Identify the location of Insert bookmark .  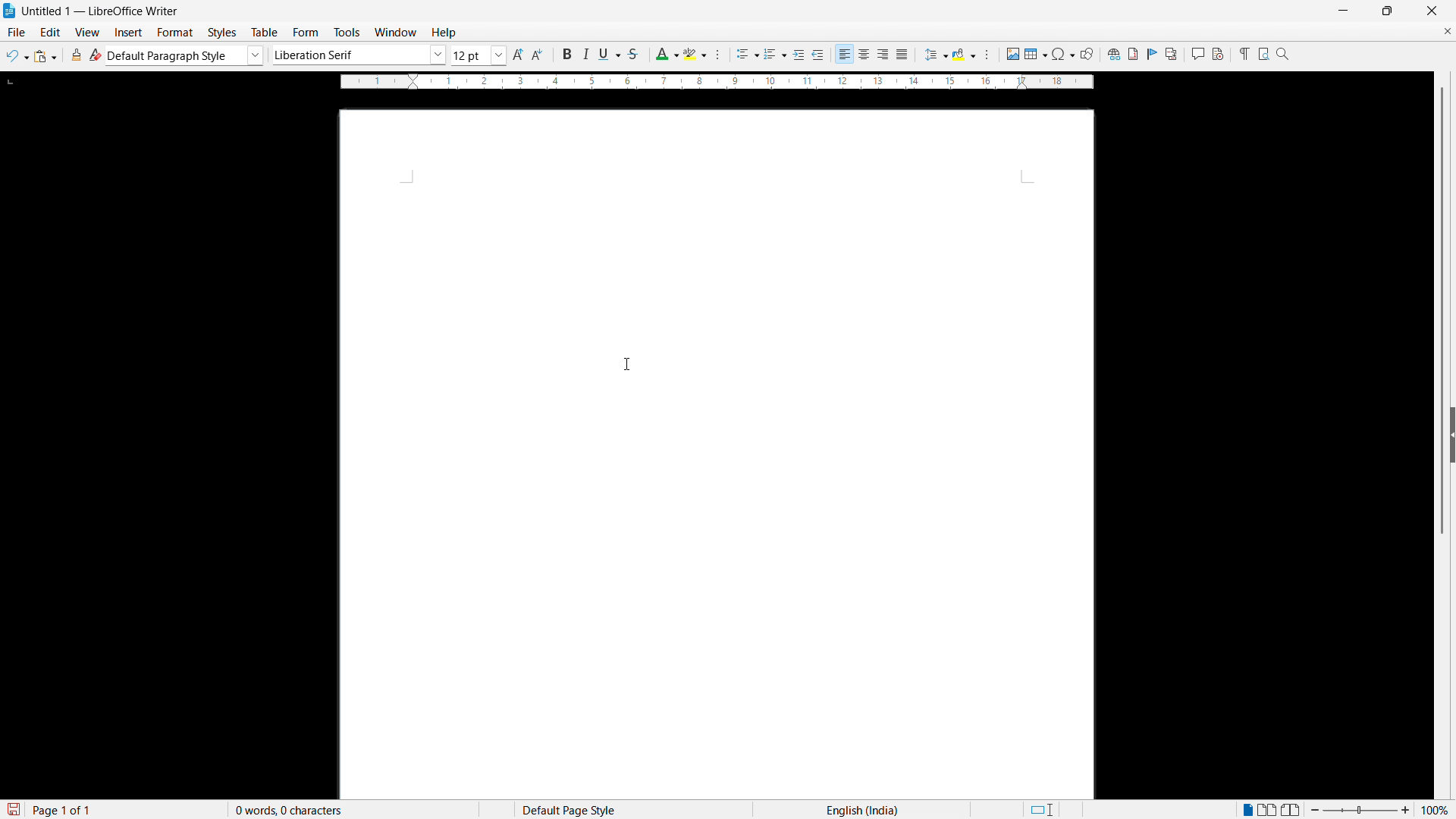
(1153, 53).